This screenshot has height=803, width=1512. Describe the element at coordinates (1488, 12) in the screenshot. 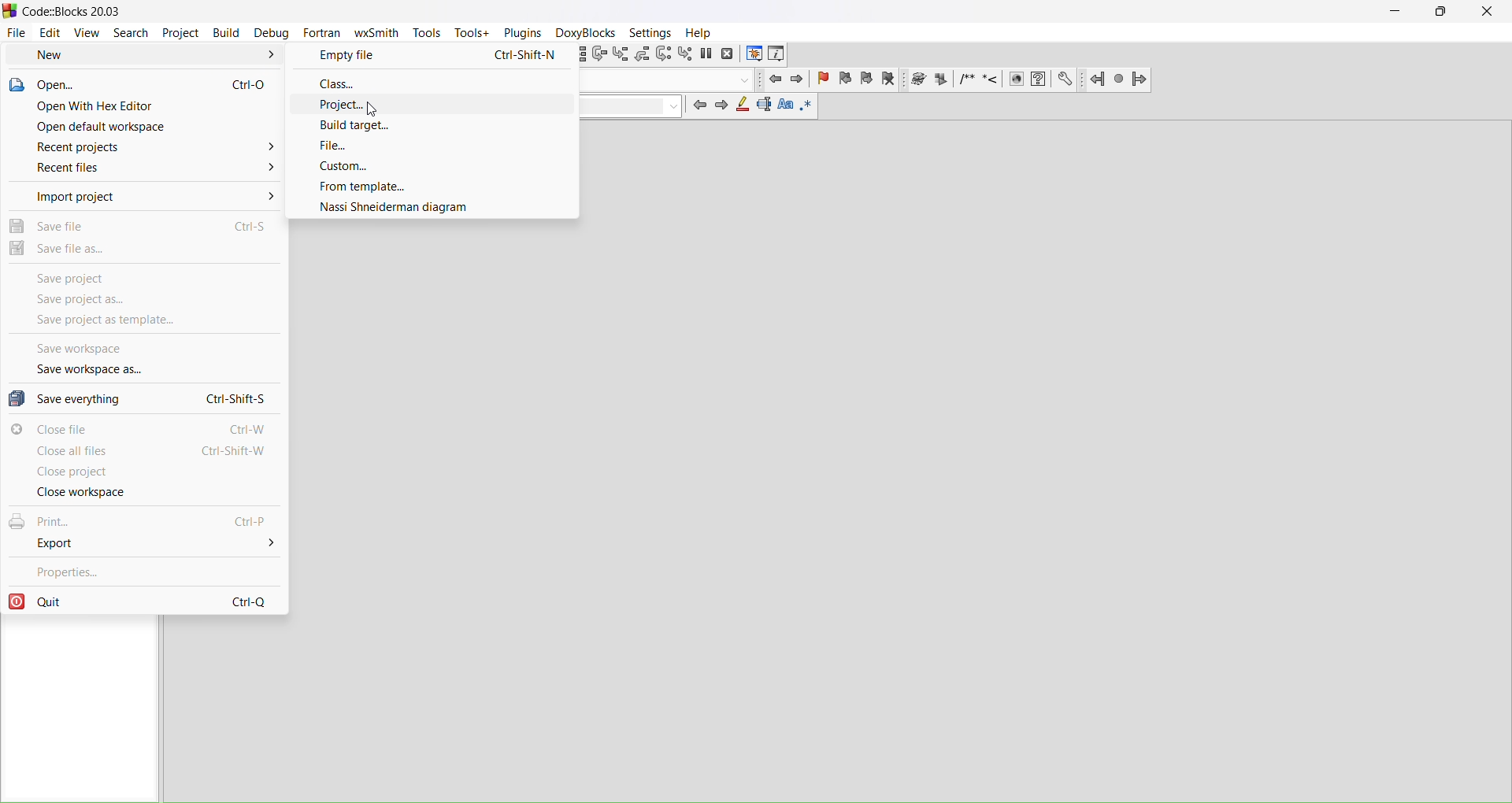

I see `close` at that location.